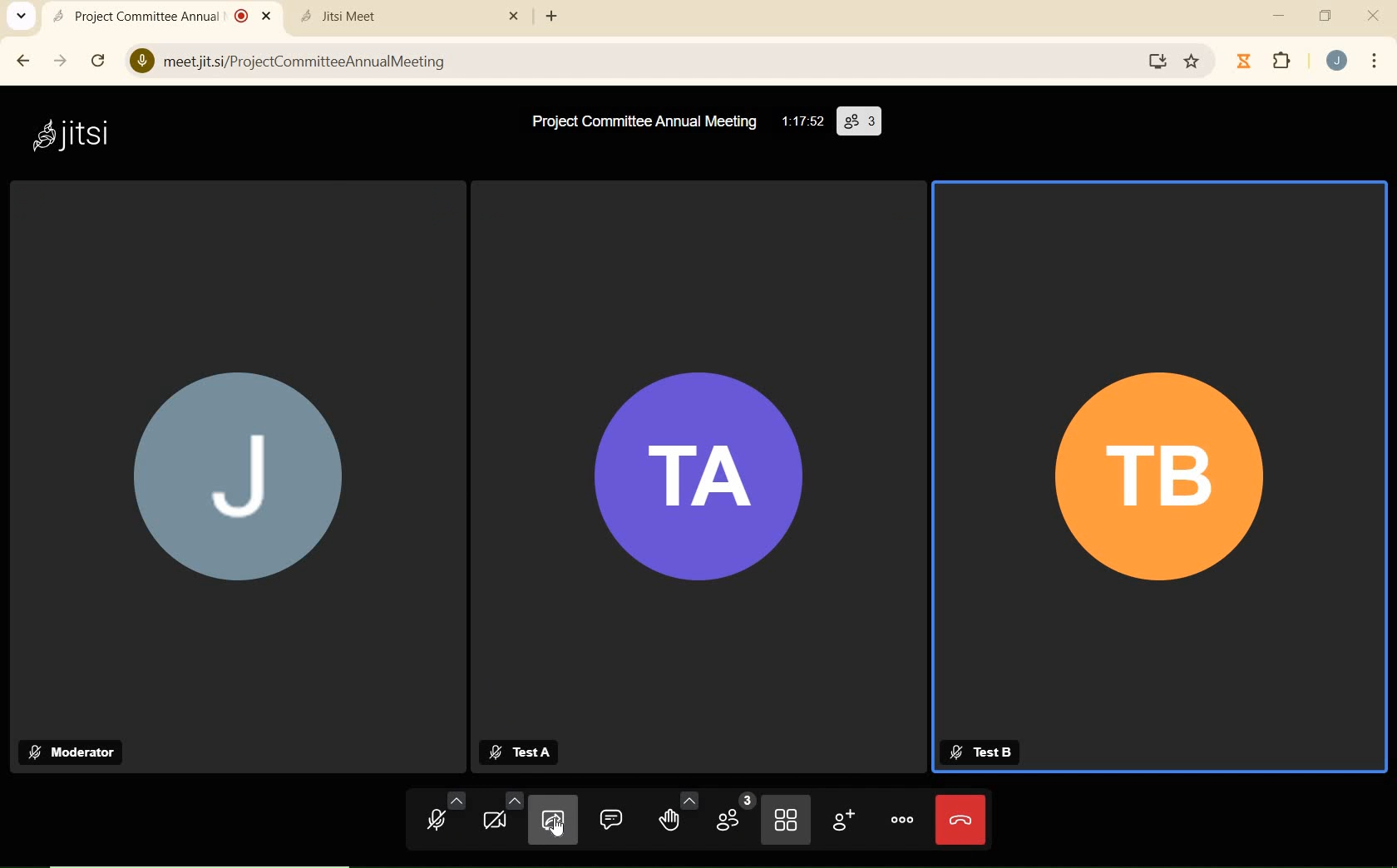 This screenshot has width=1397, height=868. Describe the element at coordinates (1279, 16) in the screenshot. I see `minimize` at that location.